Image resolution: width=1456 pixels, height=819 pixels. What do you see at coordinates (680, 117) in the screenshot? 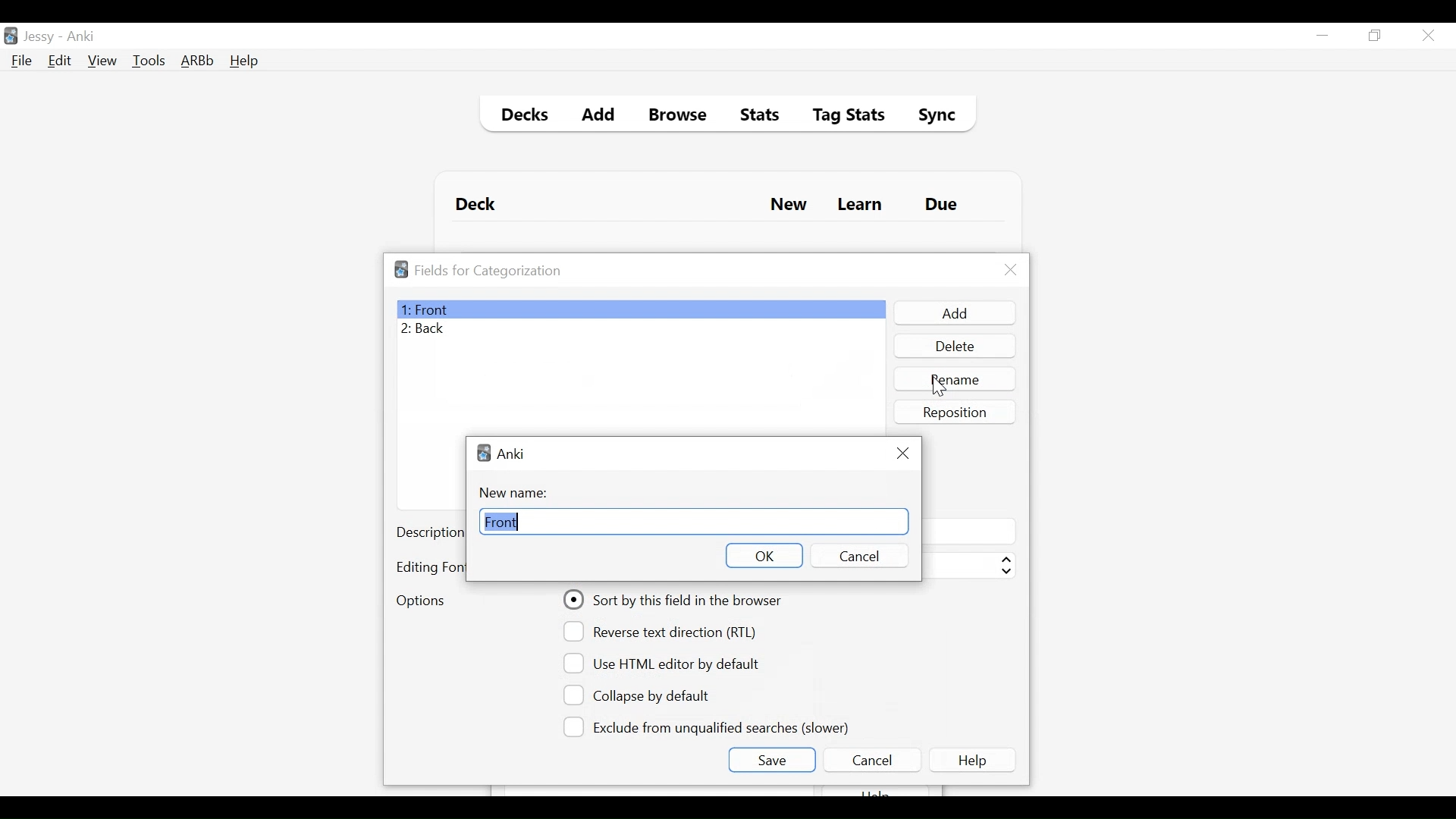
I see `Browse` at bounding box center [680, 117].